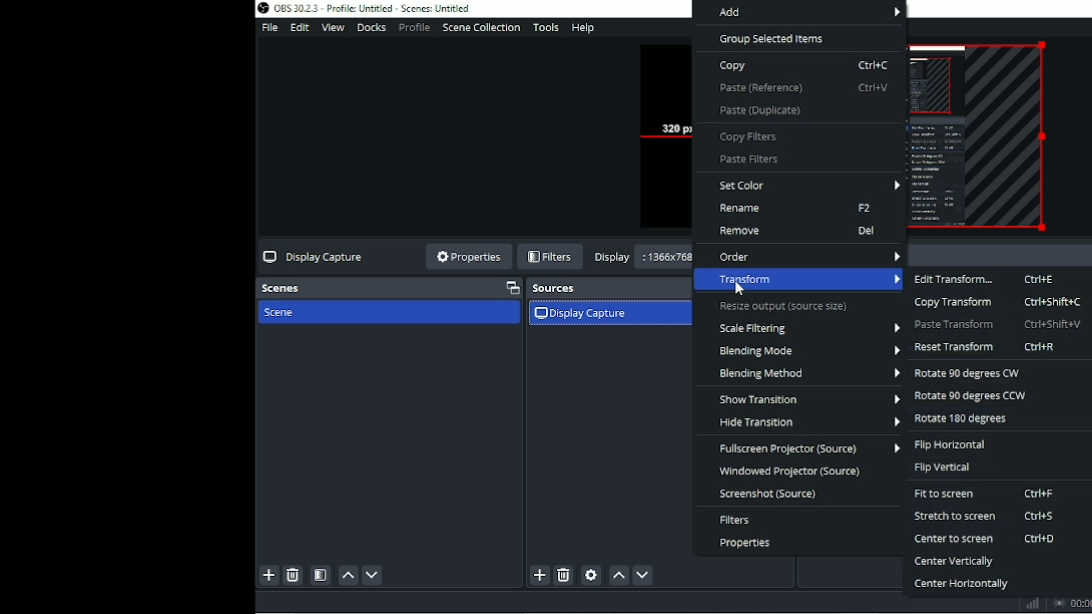 The image size is (1092, 614). I want to click on Copy transform, so click(998, 302).